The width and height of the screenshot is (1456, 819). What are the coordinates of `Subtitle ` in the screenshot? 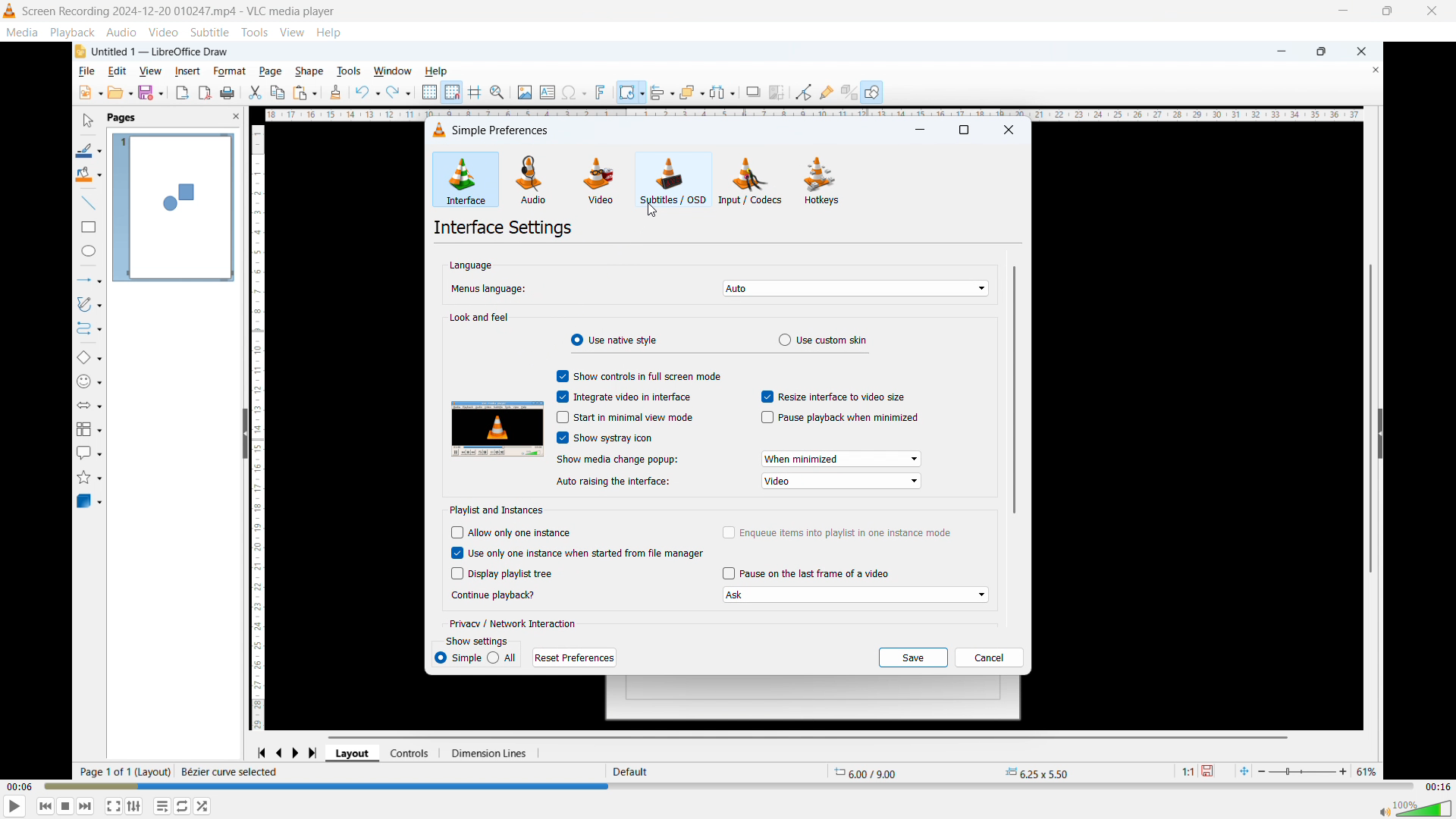 It's located at (209, 32).